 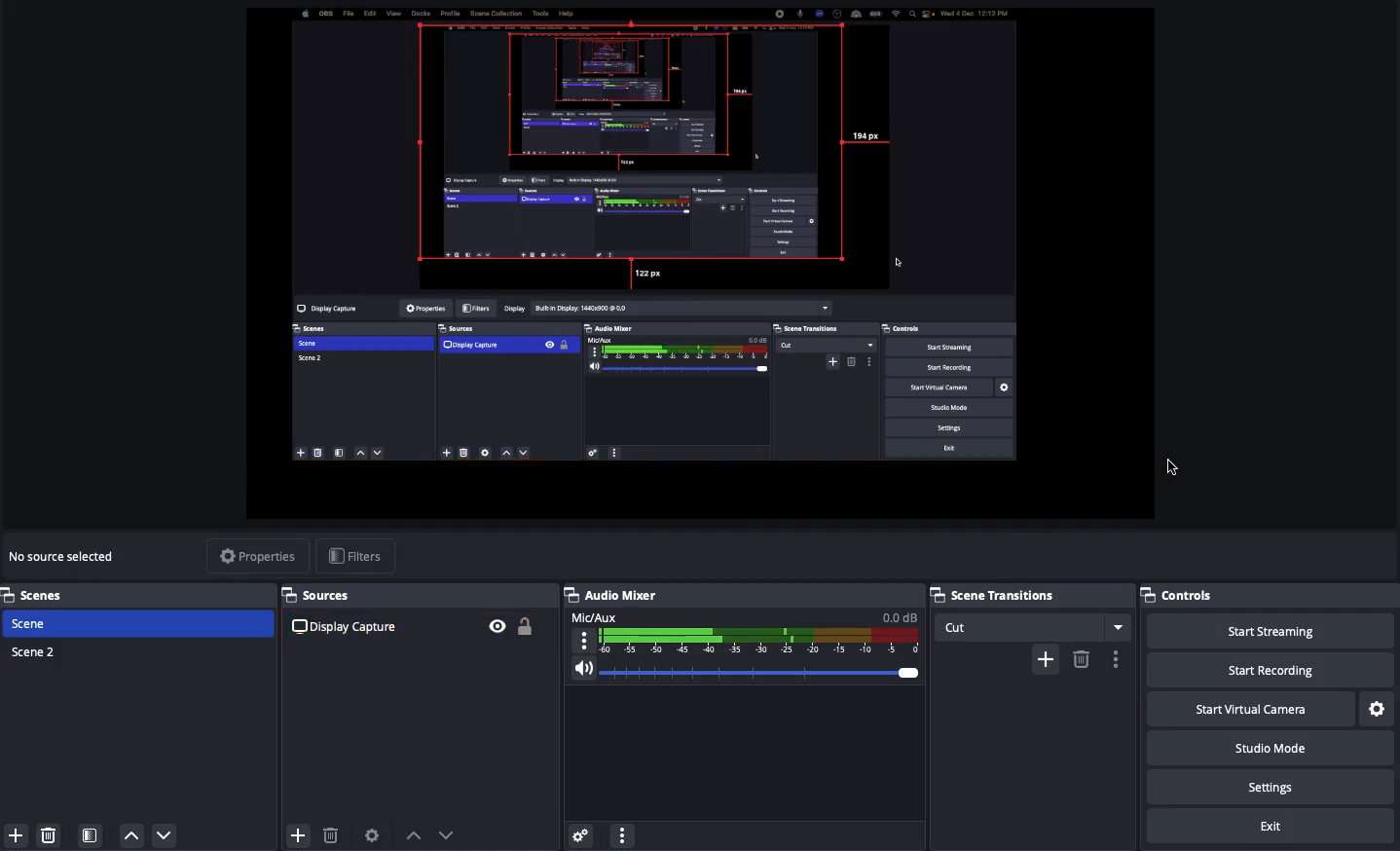 What do you see at coordinates (1269, 708) in the screenshot?
I see `Start virtual camera` at bounding box center [1269, 708].